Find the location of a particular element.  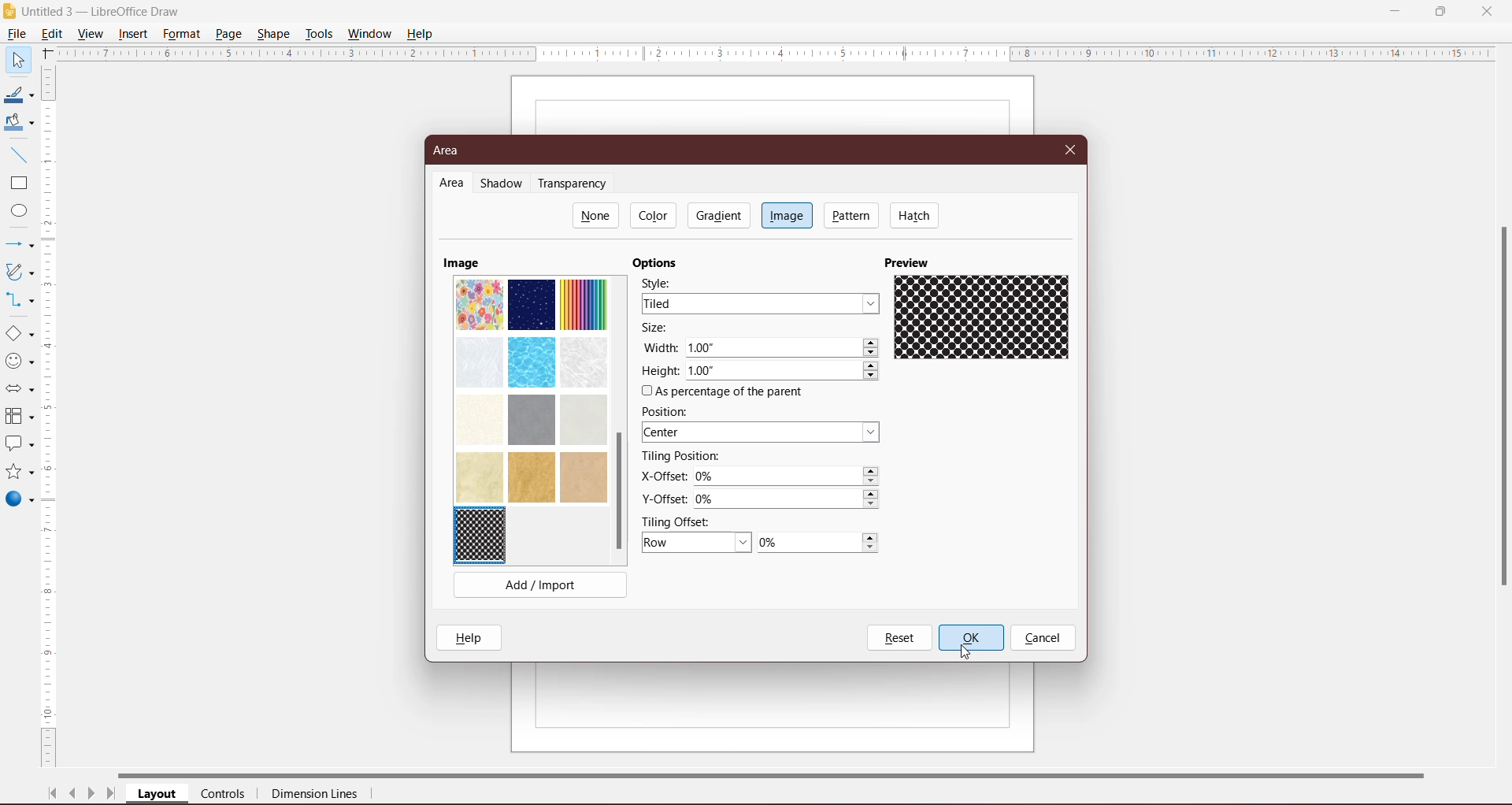

Set  the X-Offset is located at coordinates (788, 477).